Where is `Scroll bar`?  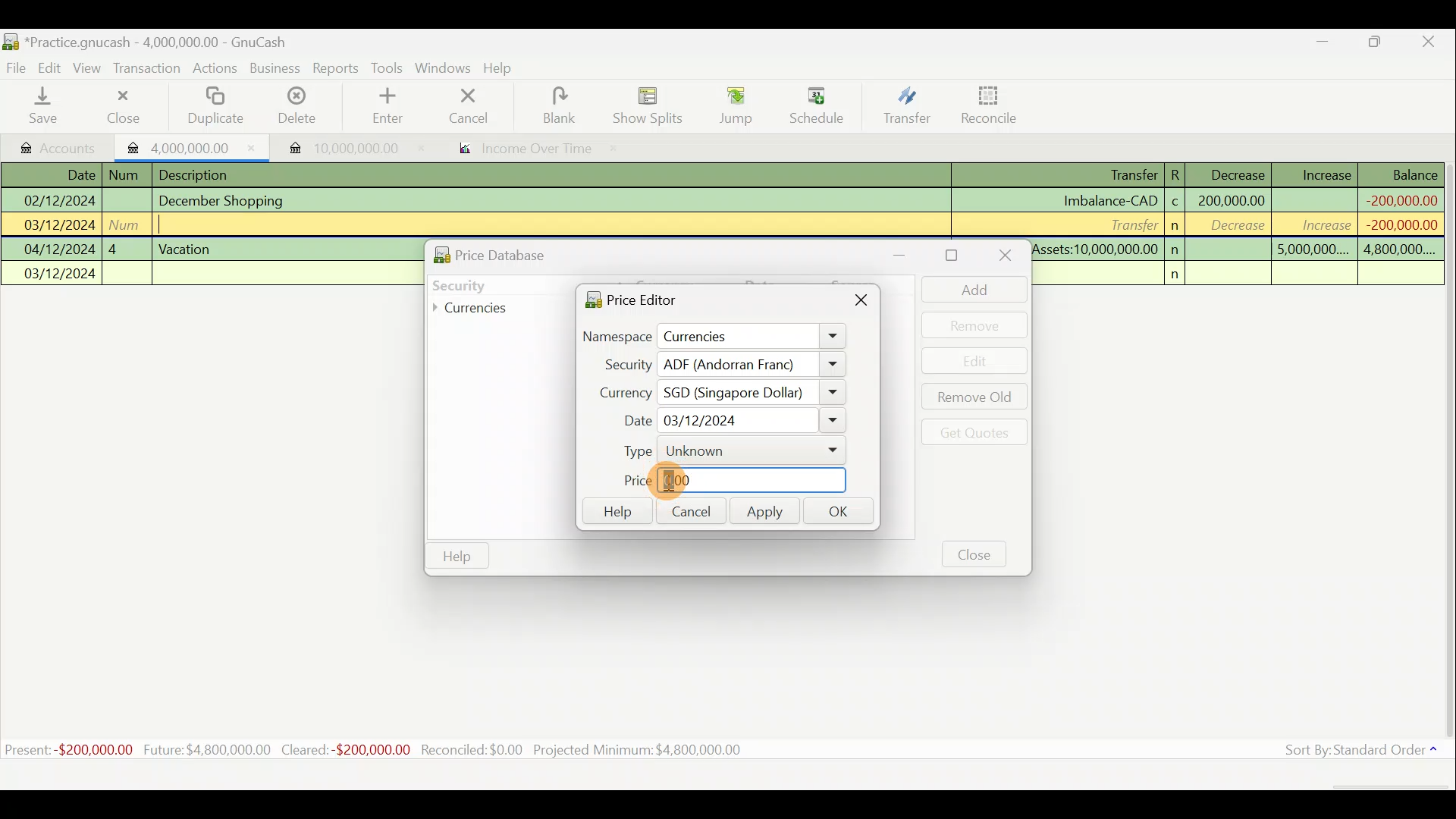
Scroll bar is located at coordinates (1447, 454).